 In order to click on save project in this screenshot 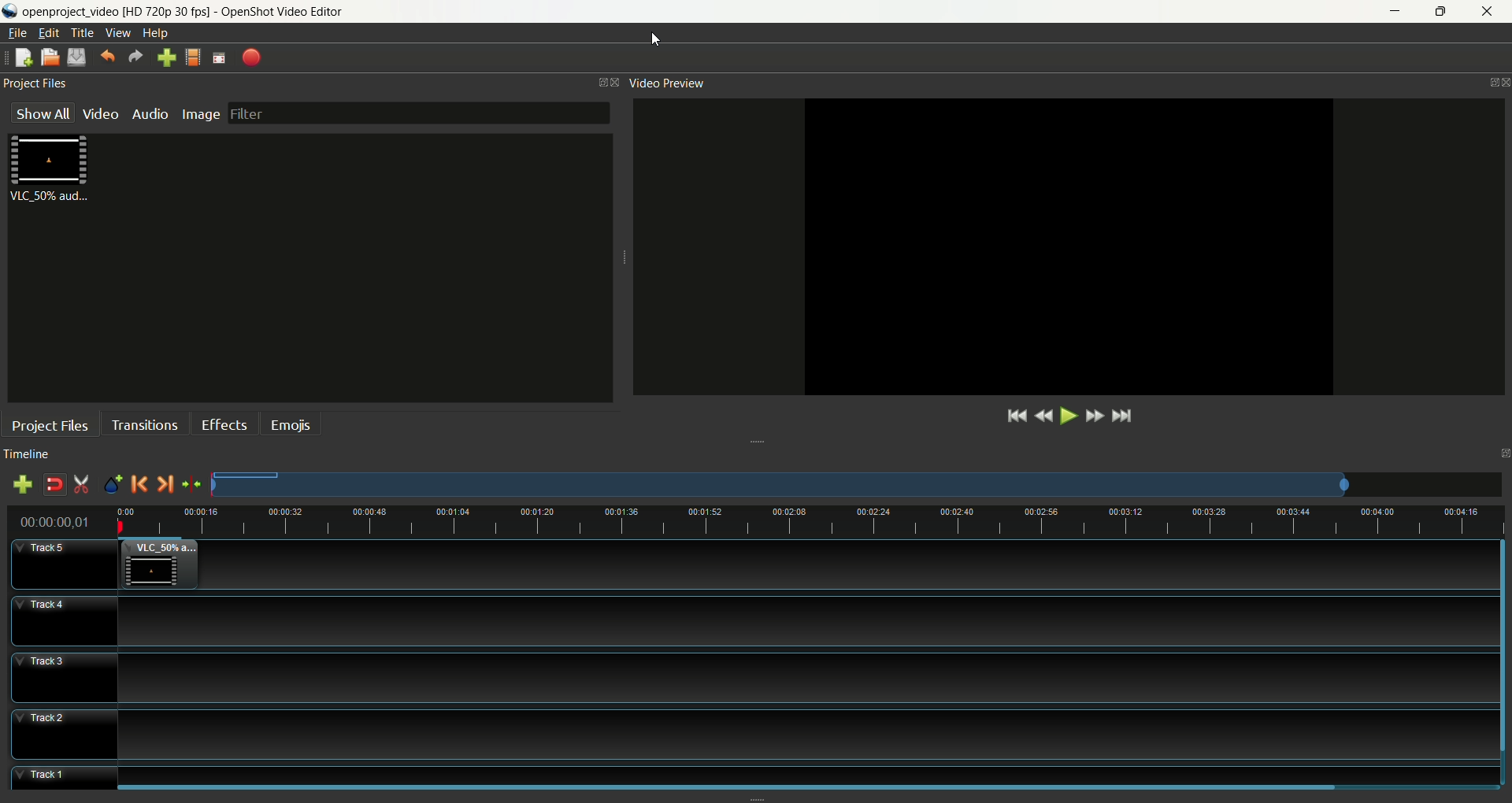, I will do `click(80, 58)`.